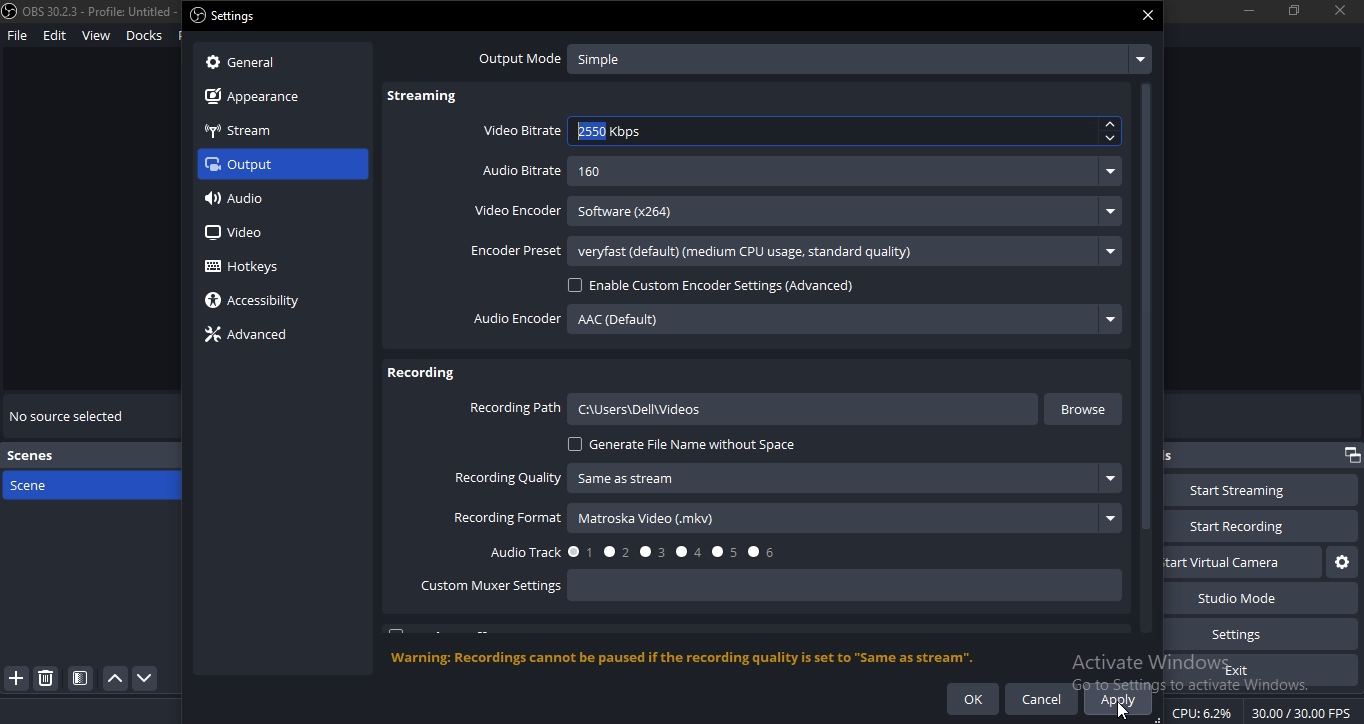  What do you see at coordinates (145, 34) in the screenshot?
I see `docks` at bounding box center [145, 34].